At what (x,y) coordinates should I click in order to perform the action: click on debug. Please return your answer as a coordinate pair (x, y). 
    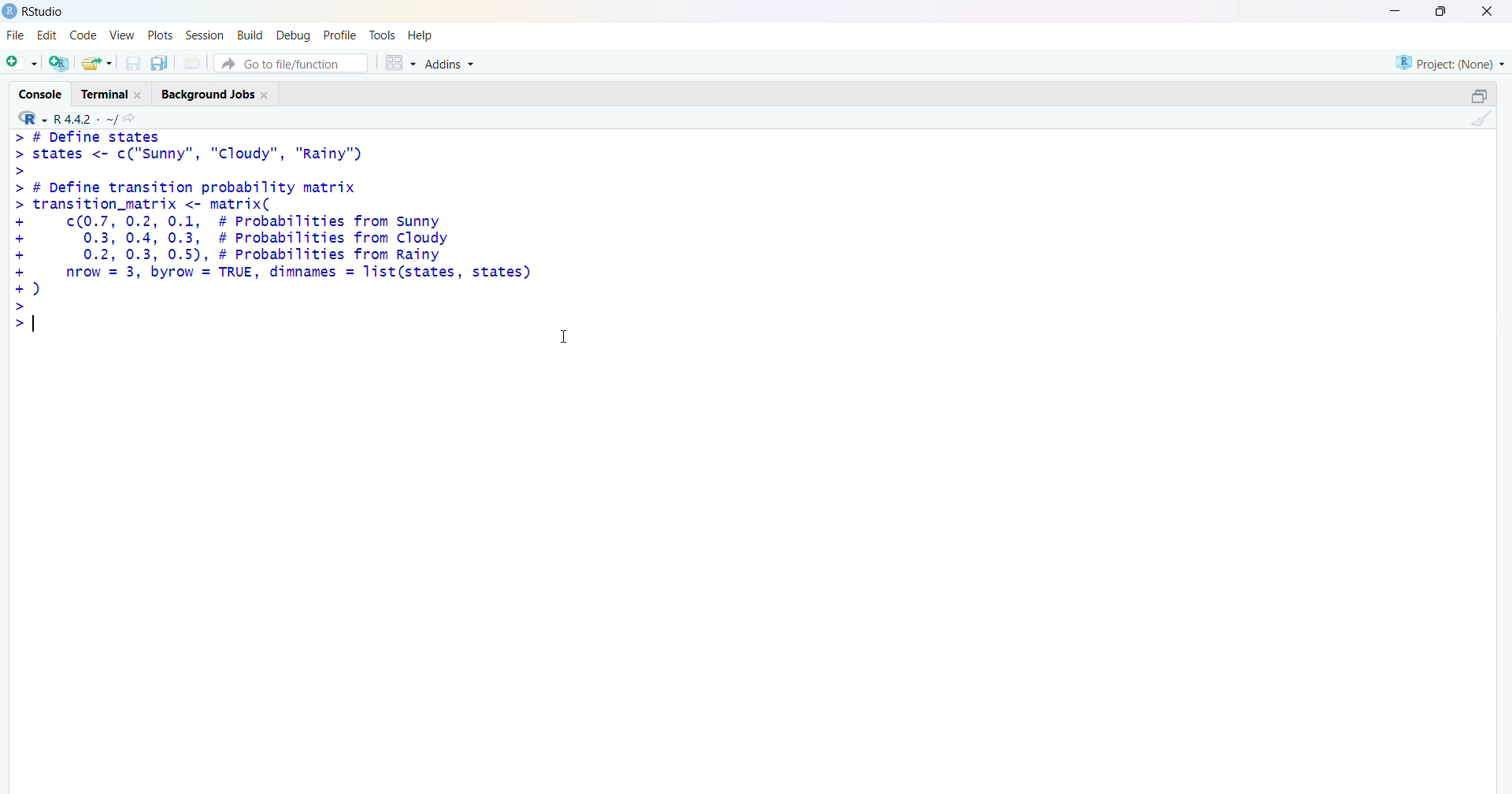
    Looking at the image, I should click on (292, 35).